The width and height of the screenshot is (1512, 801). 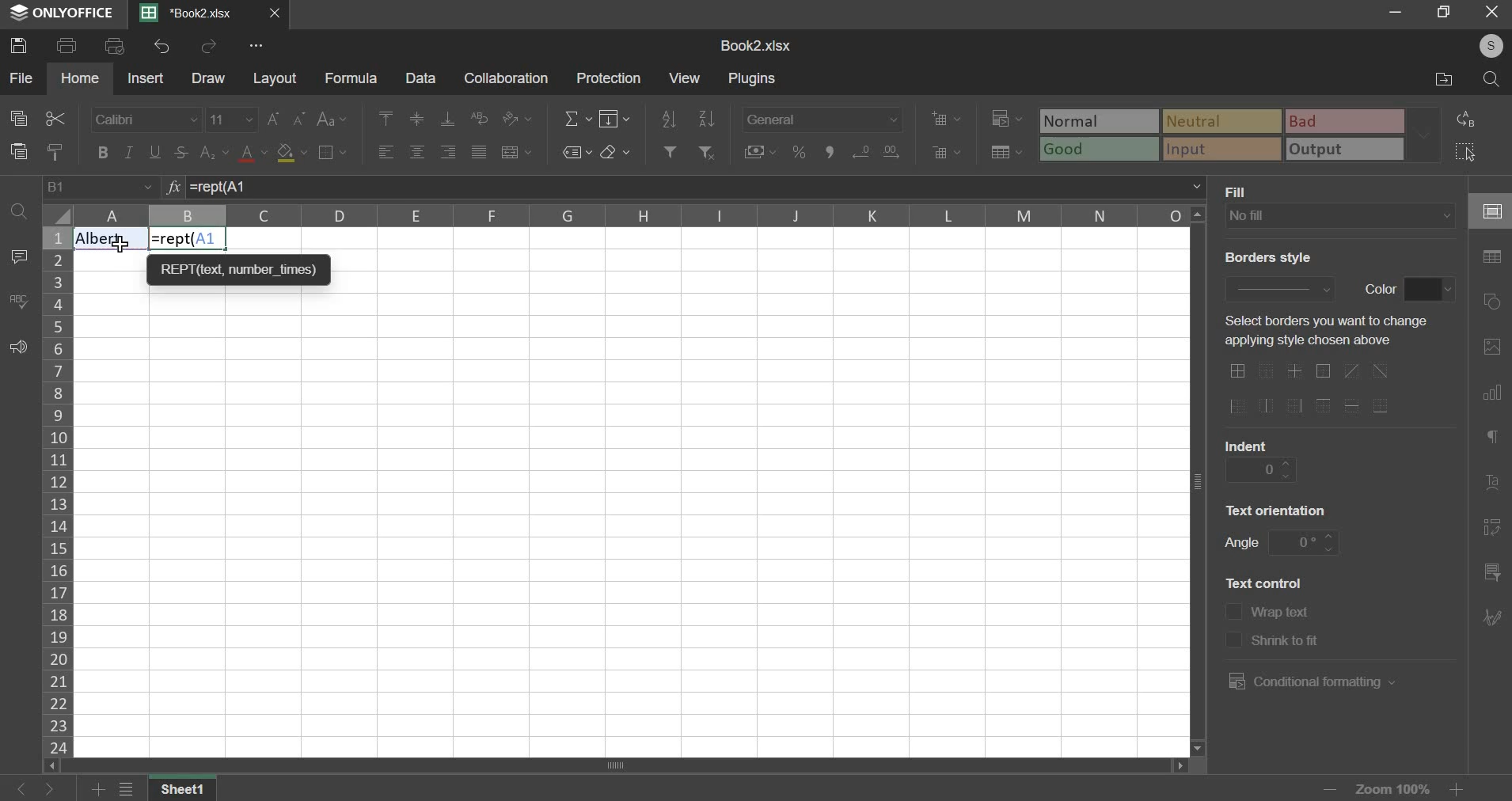 What do you see at coordinates (1244, 190) in the screenshot?
I see `text` at bounding box center [1244, 190].